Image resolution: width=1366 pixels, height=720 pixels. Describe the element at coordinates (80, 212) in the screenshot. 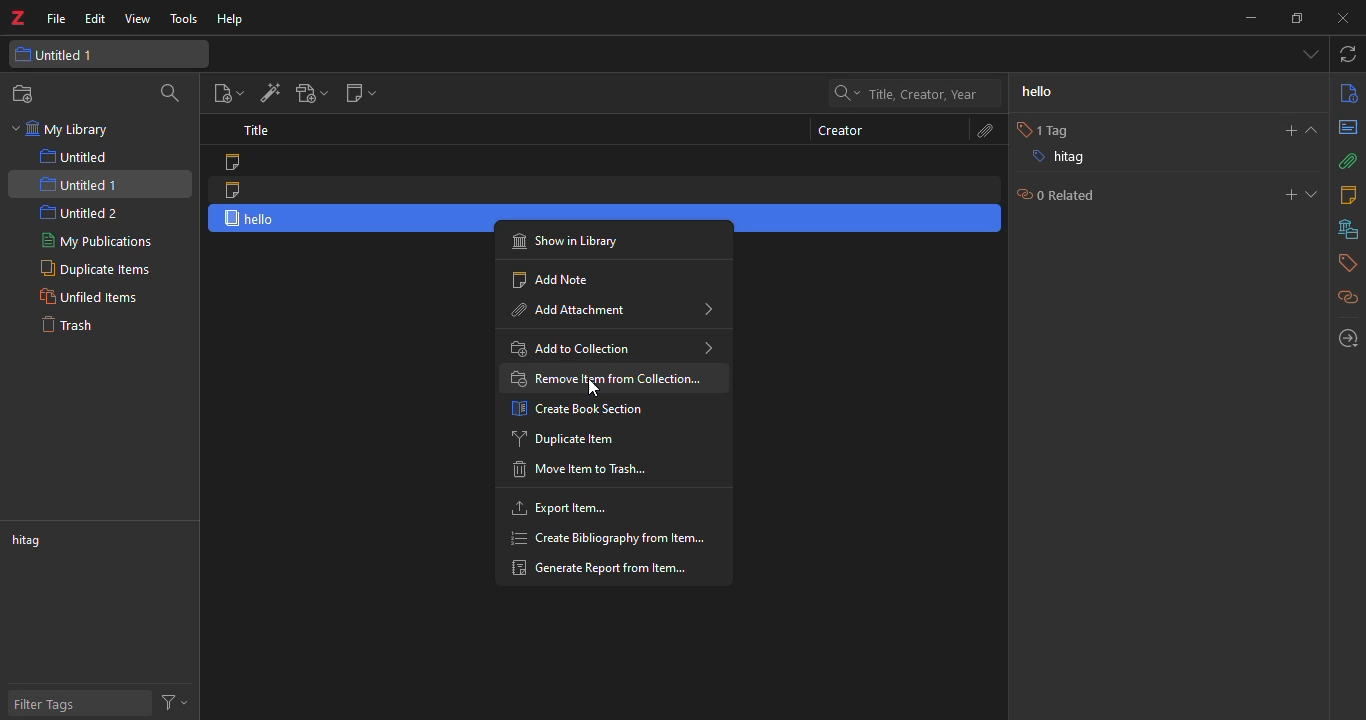

I see `untitled 2` at that location.